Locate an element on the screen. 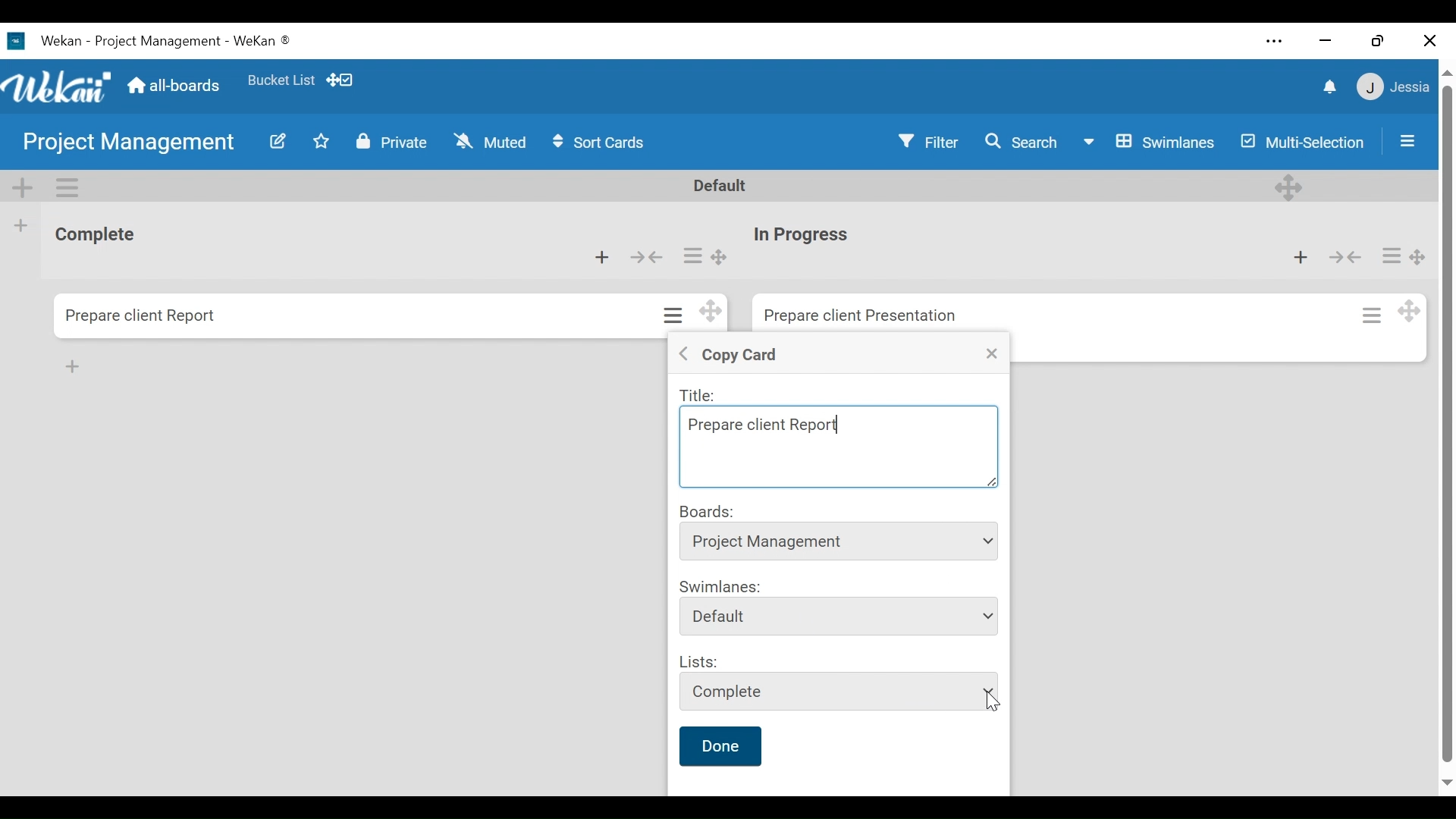 Image resolution: width=1456 pixels, height=819 pixels. Sidebar is located at coordinates (1414, 141).